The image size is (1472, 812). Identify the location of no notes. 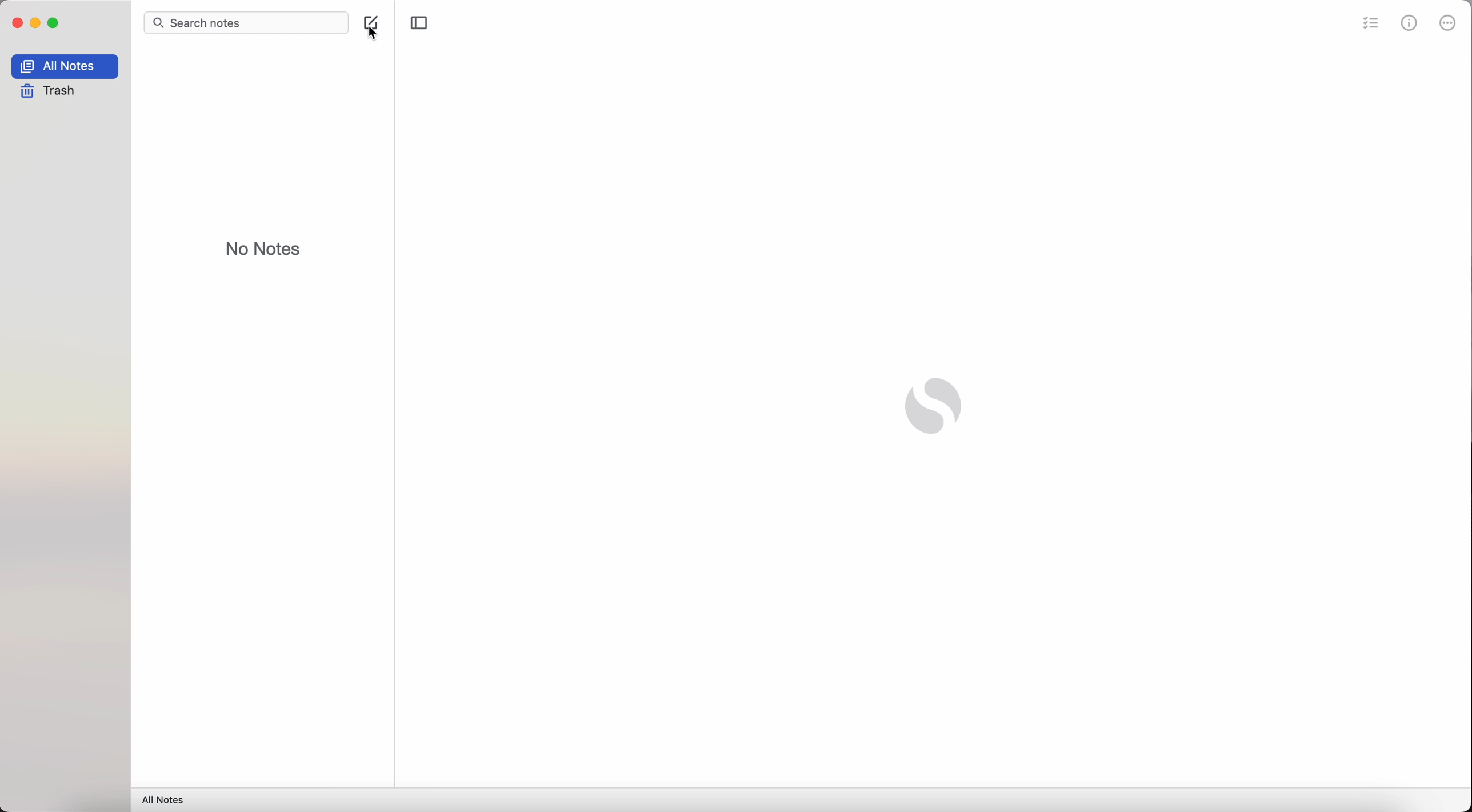
(266, 247).